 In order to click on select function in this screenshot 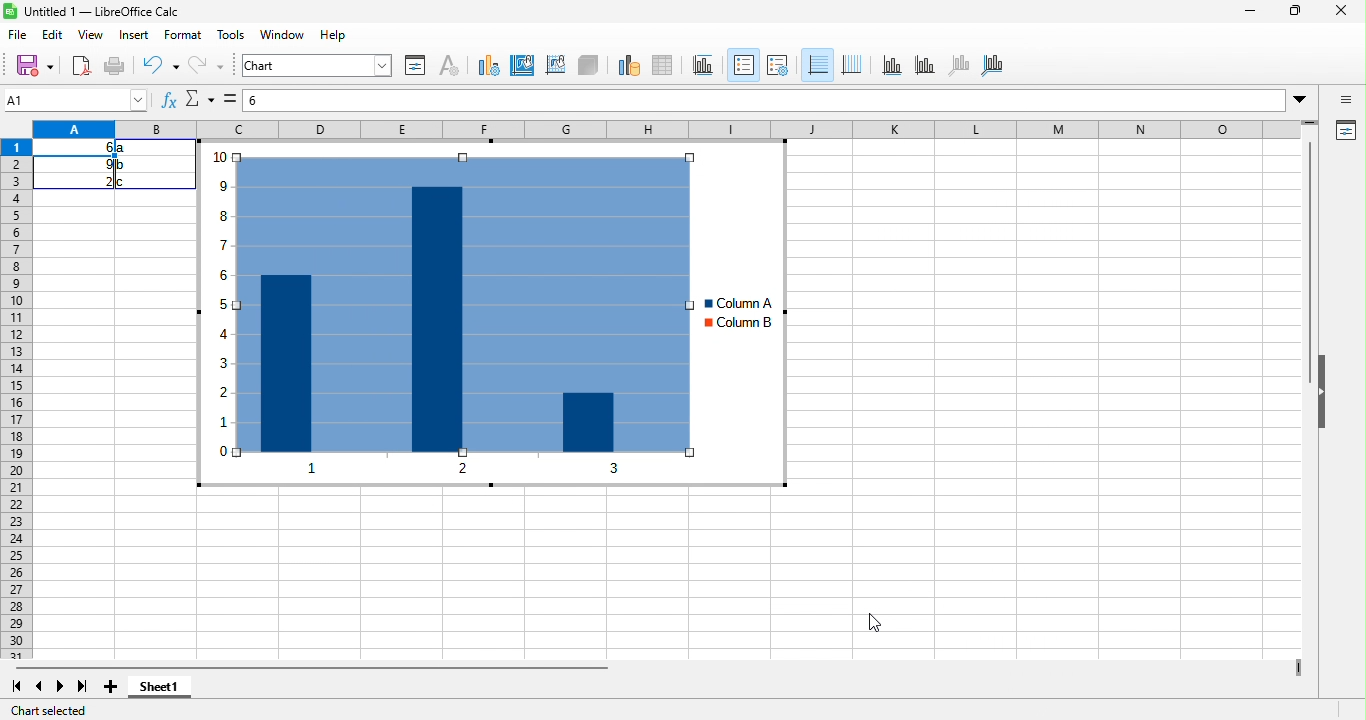, I will do `click(198, 99)`.